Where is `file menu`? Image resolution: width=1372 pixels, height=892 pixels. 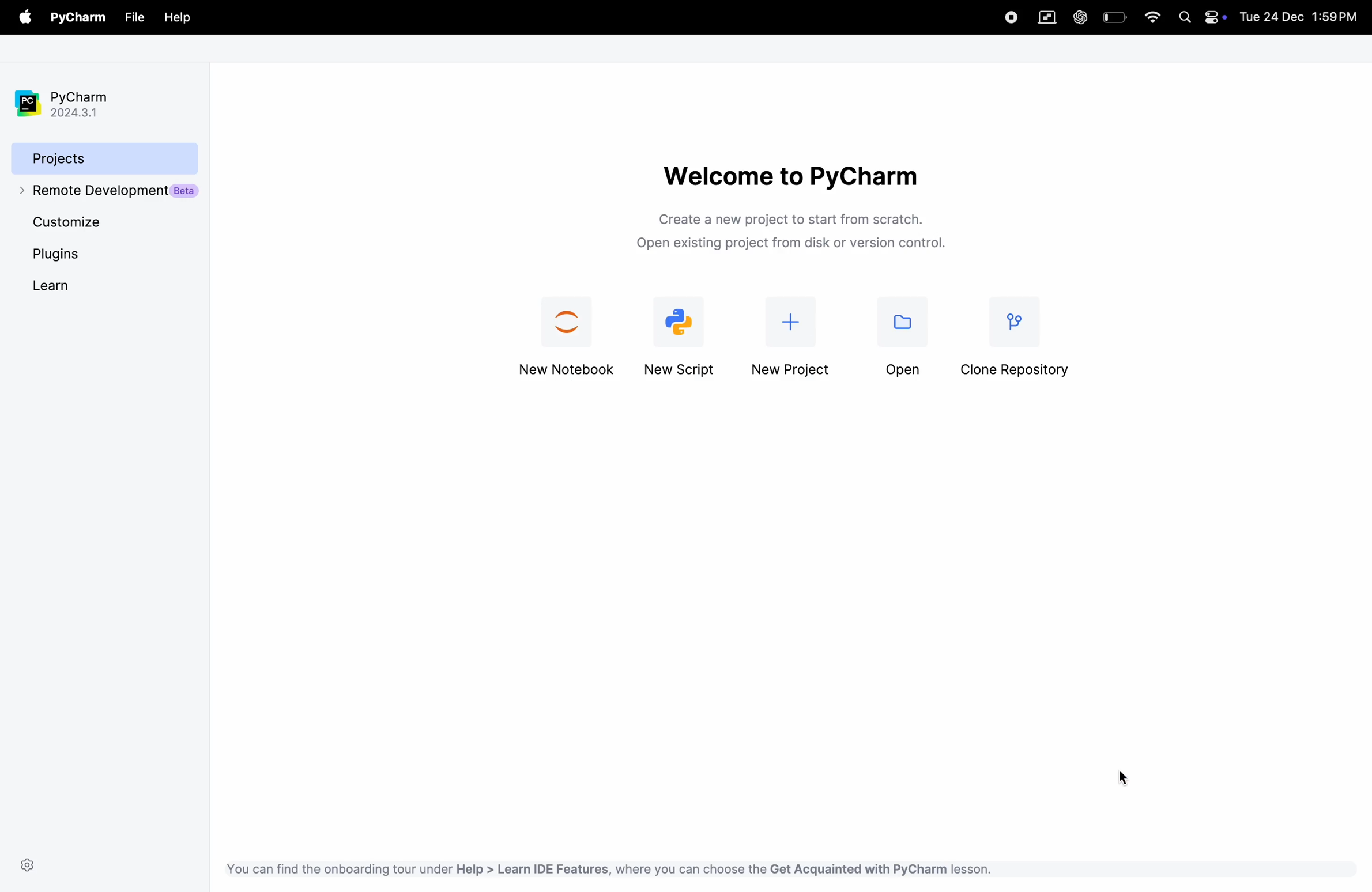
file menu is located at coordinates (22, 17).